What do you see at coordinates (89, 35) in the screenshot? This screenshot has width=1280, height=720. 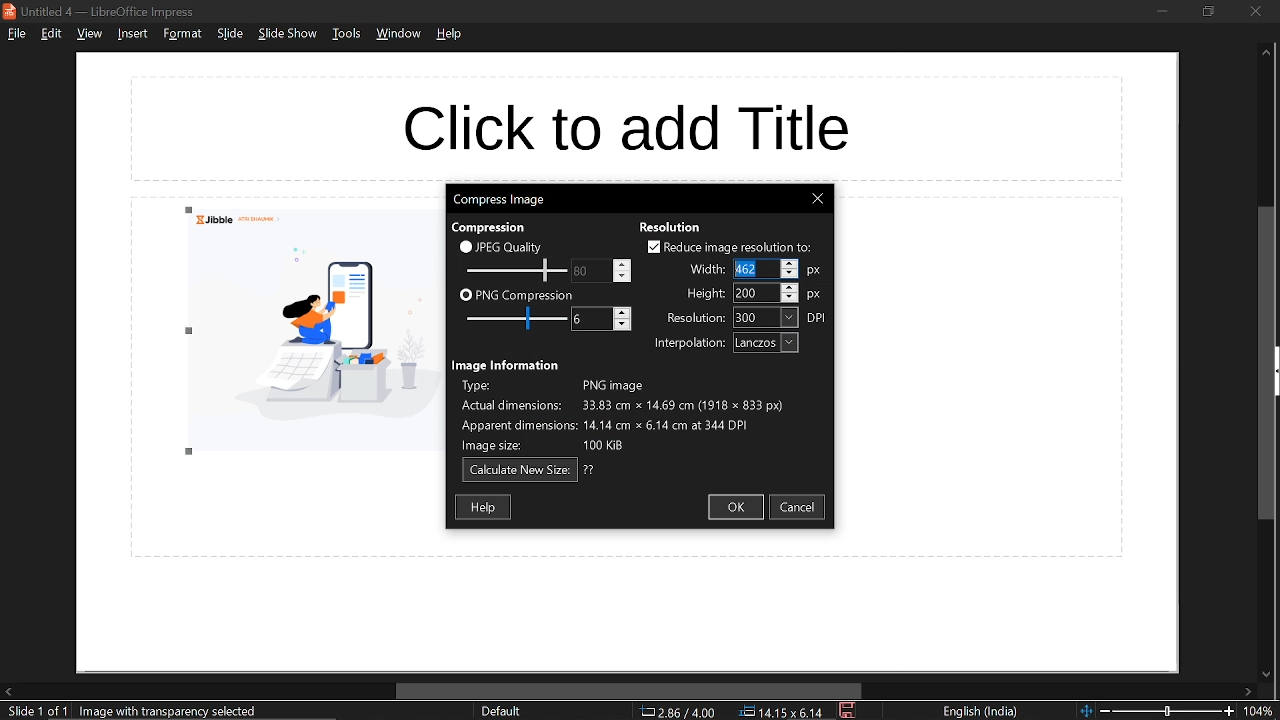 I see `view` at bounding box center [89, 35].